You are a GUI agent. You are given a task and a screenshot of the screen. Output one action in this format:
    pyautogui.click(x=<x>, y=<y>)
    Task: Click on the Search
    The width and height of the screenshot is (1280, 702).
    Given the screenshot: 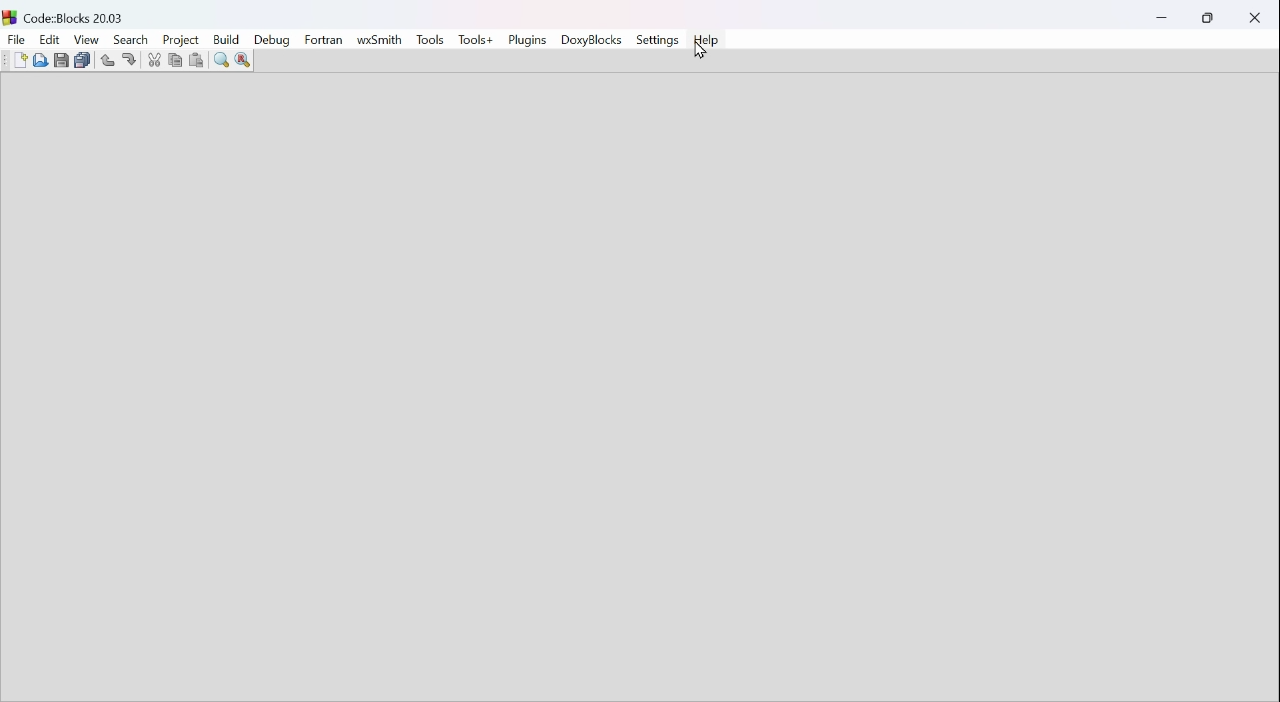 What is the action you would take?
    pyautogui.click(x=131, y=39)
    